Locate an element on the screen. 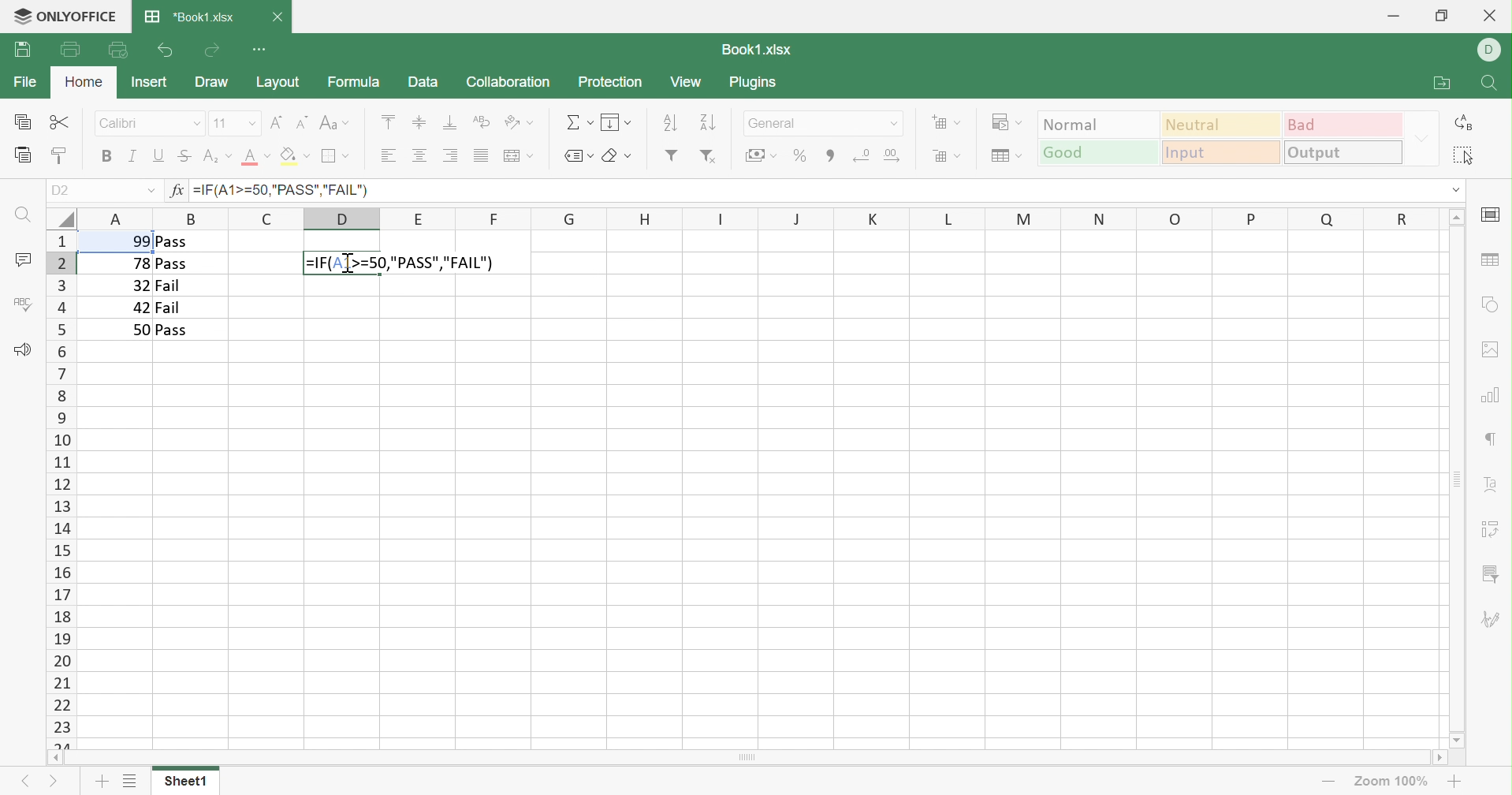  Go to file location is located at coordinates (1444, 84).